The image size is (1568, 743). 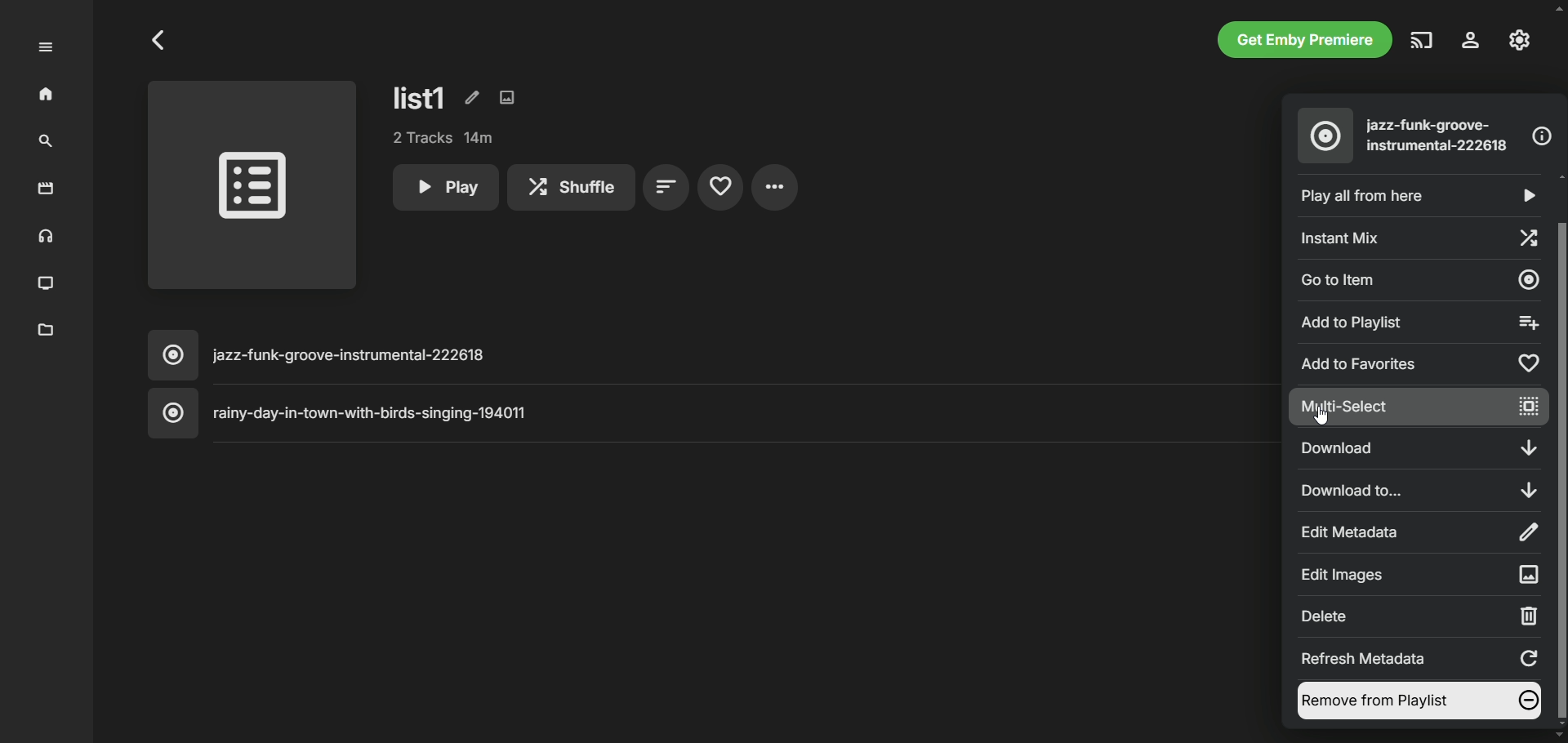 I want to click on music title, so click(x=711, y=413).